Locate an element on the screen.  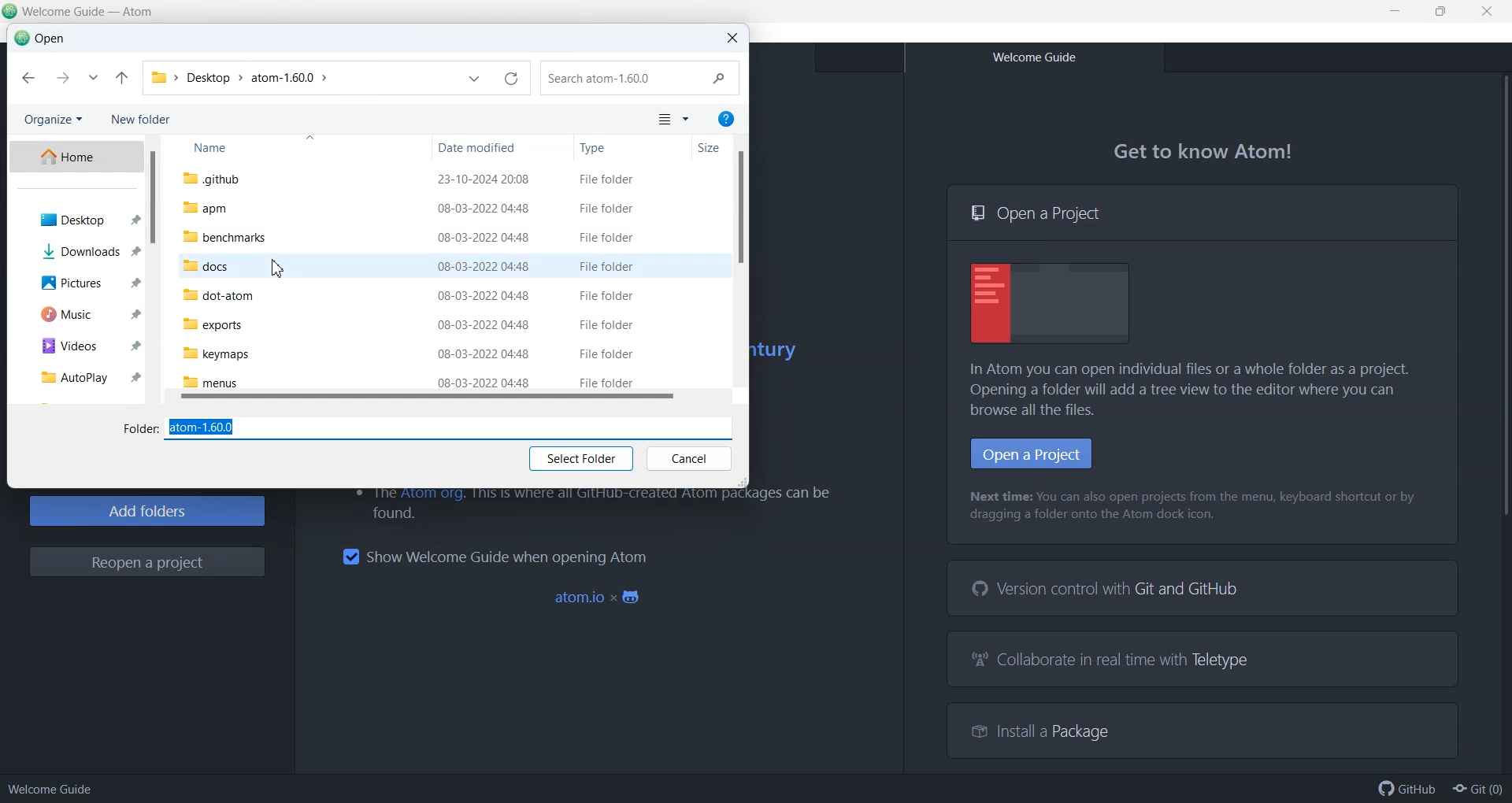
File Folder is located at coordinates (606, 294).